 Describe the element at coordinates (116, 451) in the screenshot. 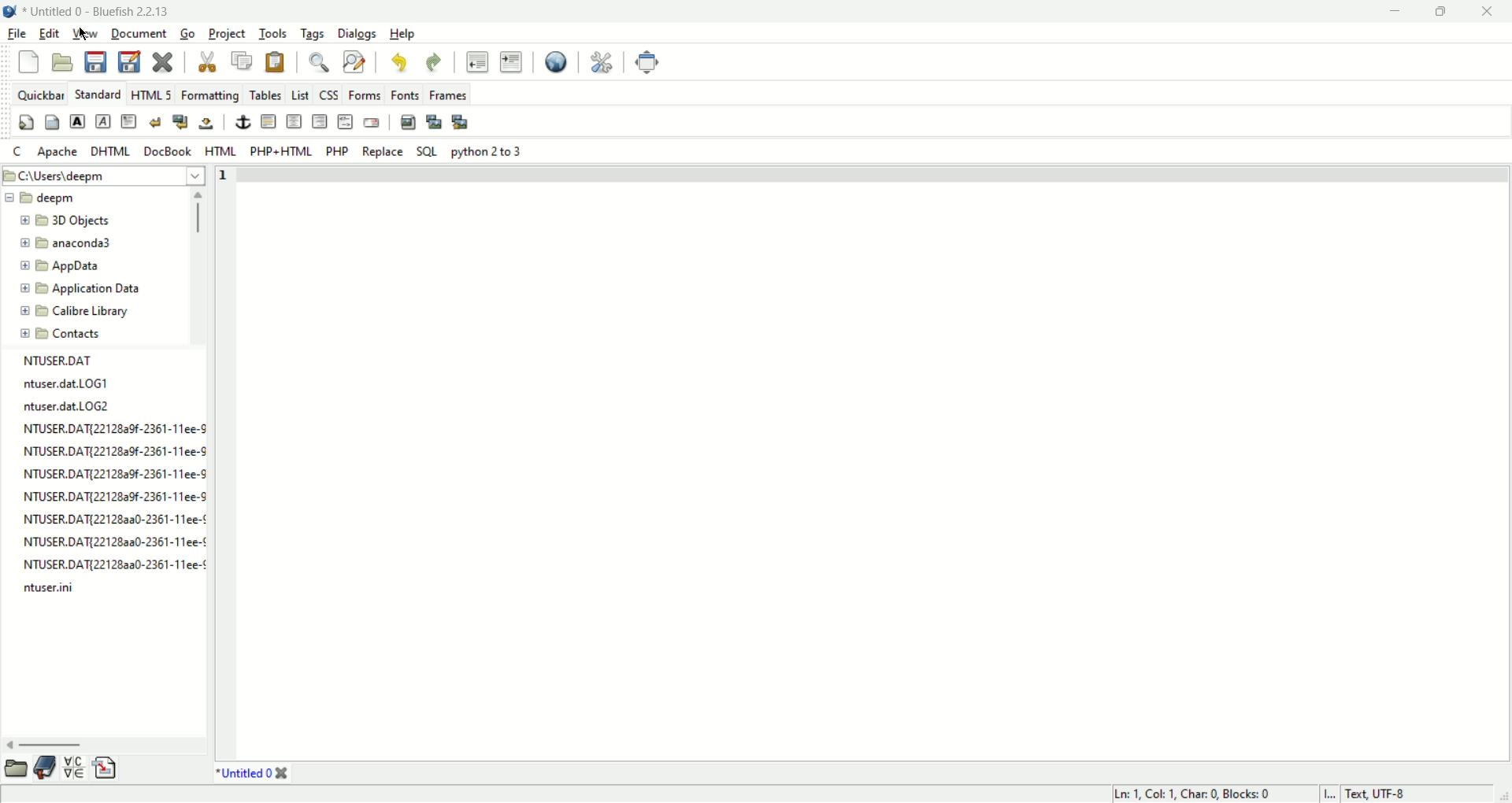

I see `NTUSER.DAT{22128a9f-2361-11ee-9` at that location.